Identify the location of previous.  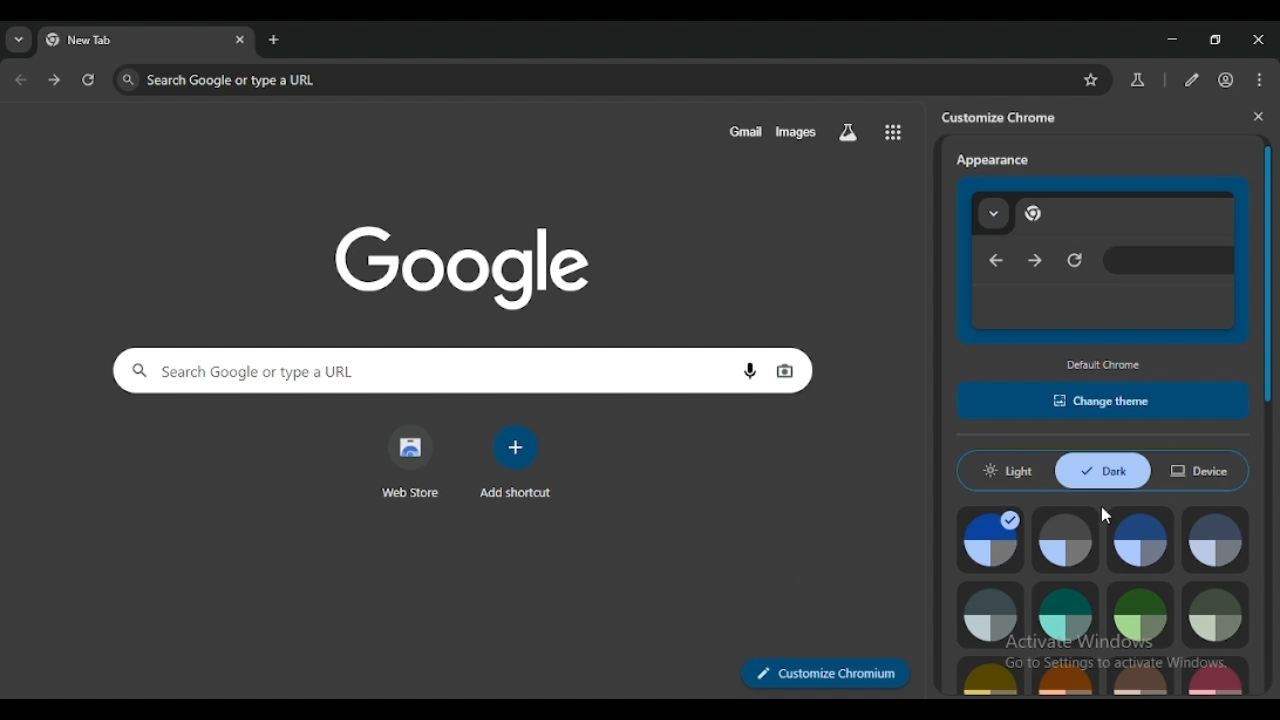
(1000, 262).